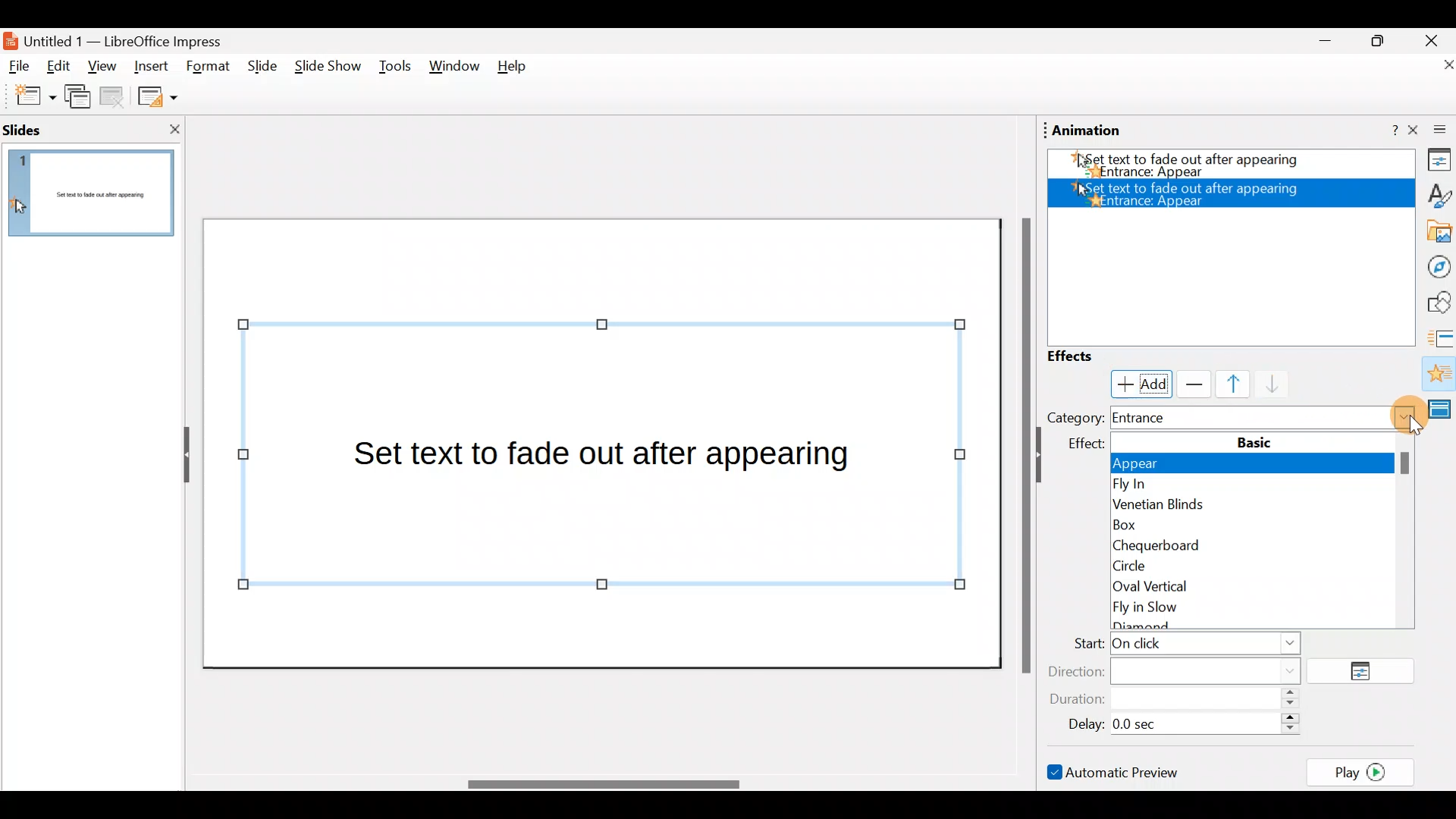 The image size is (1456, 819). Describe the element at coordinates (80, 99) in the screenshot. I see `Duplicate slide` at that location.